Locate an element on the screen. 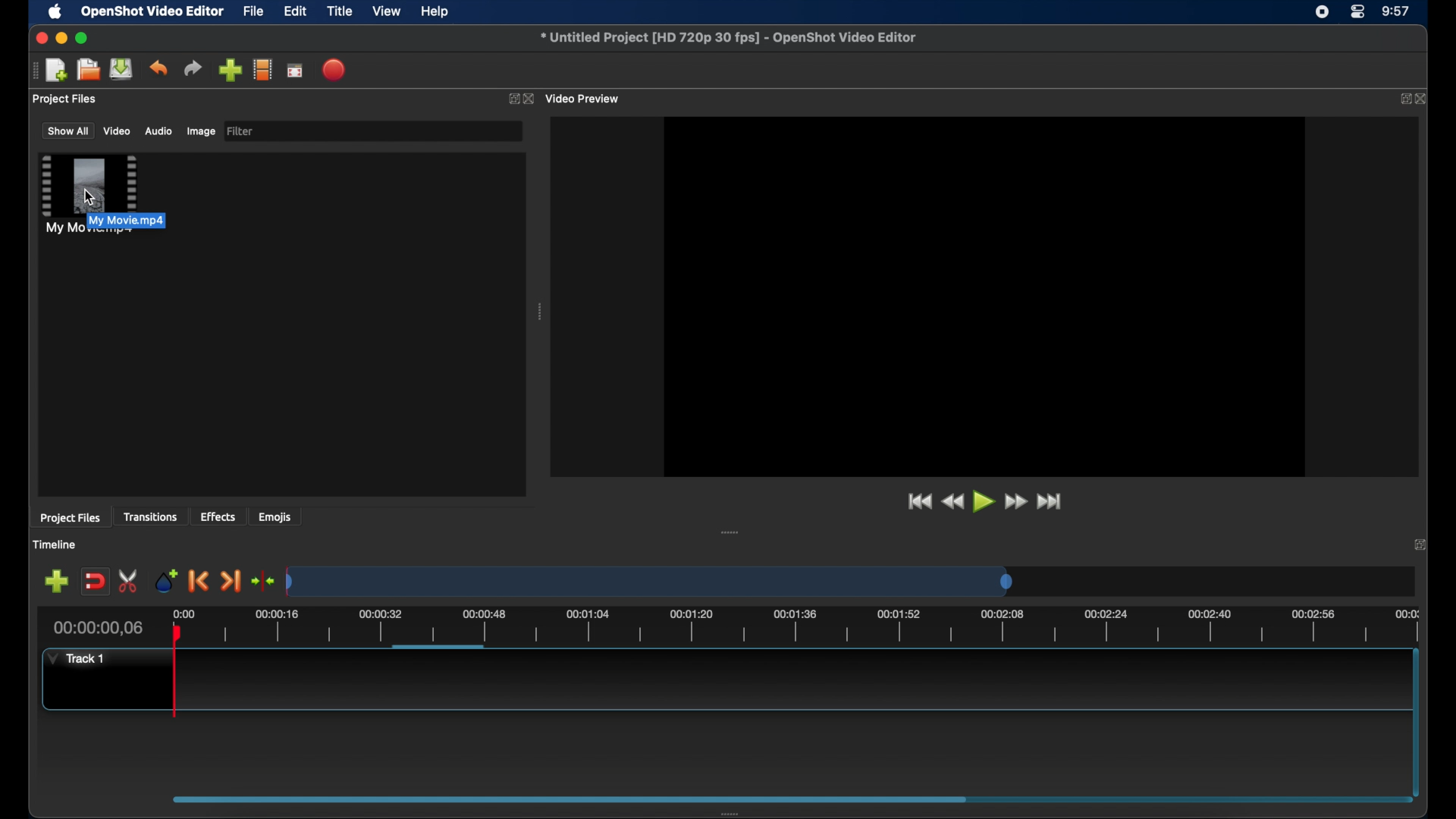 Image resolution: width=1456 pixels, height=819 pixels. filter is located at coordinates (241, 131).